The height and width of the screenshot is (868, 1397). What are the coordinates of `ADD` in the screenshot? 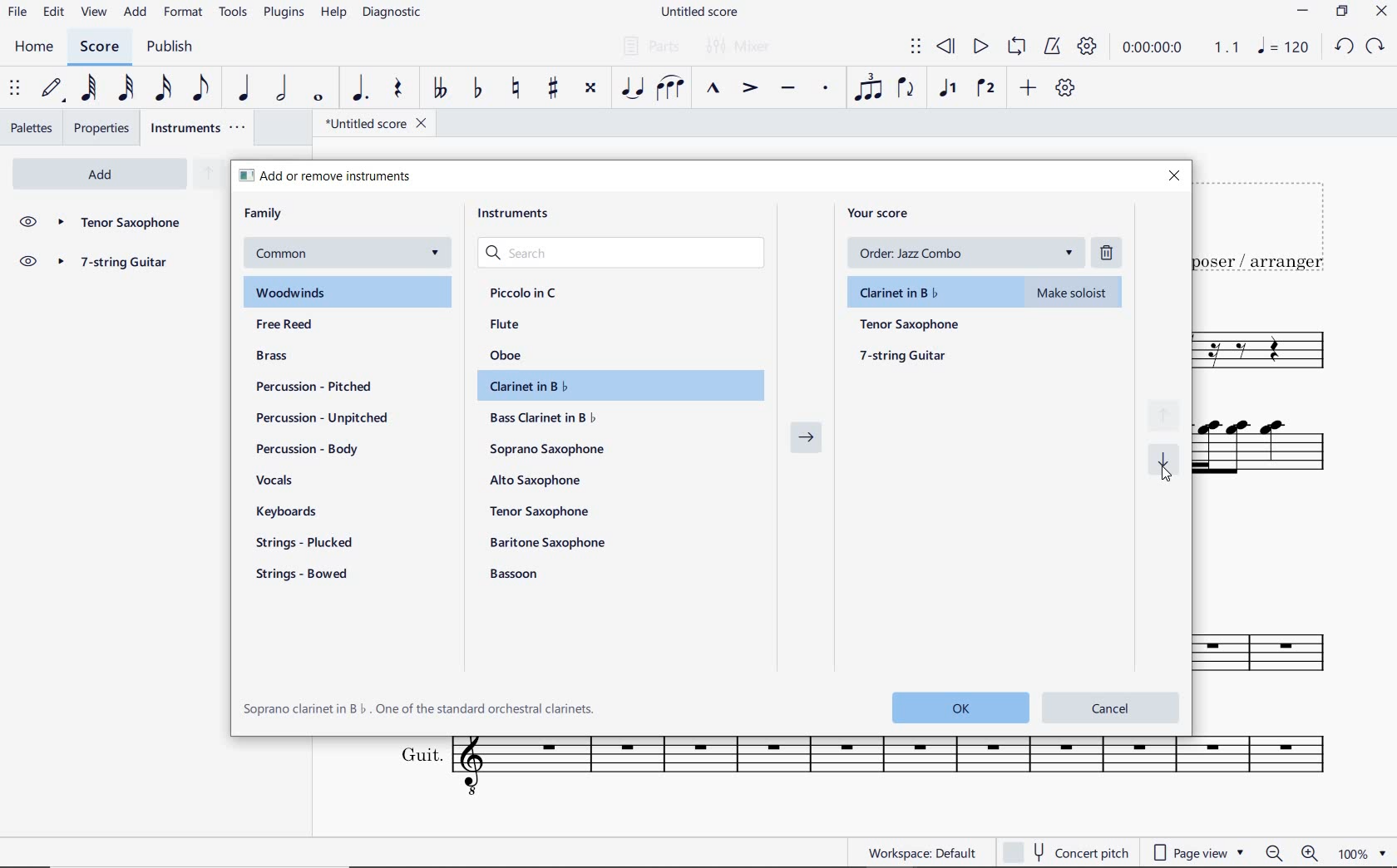 It's located at (1029, 89).